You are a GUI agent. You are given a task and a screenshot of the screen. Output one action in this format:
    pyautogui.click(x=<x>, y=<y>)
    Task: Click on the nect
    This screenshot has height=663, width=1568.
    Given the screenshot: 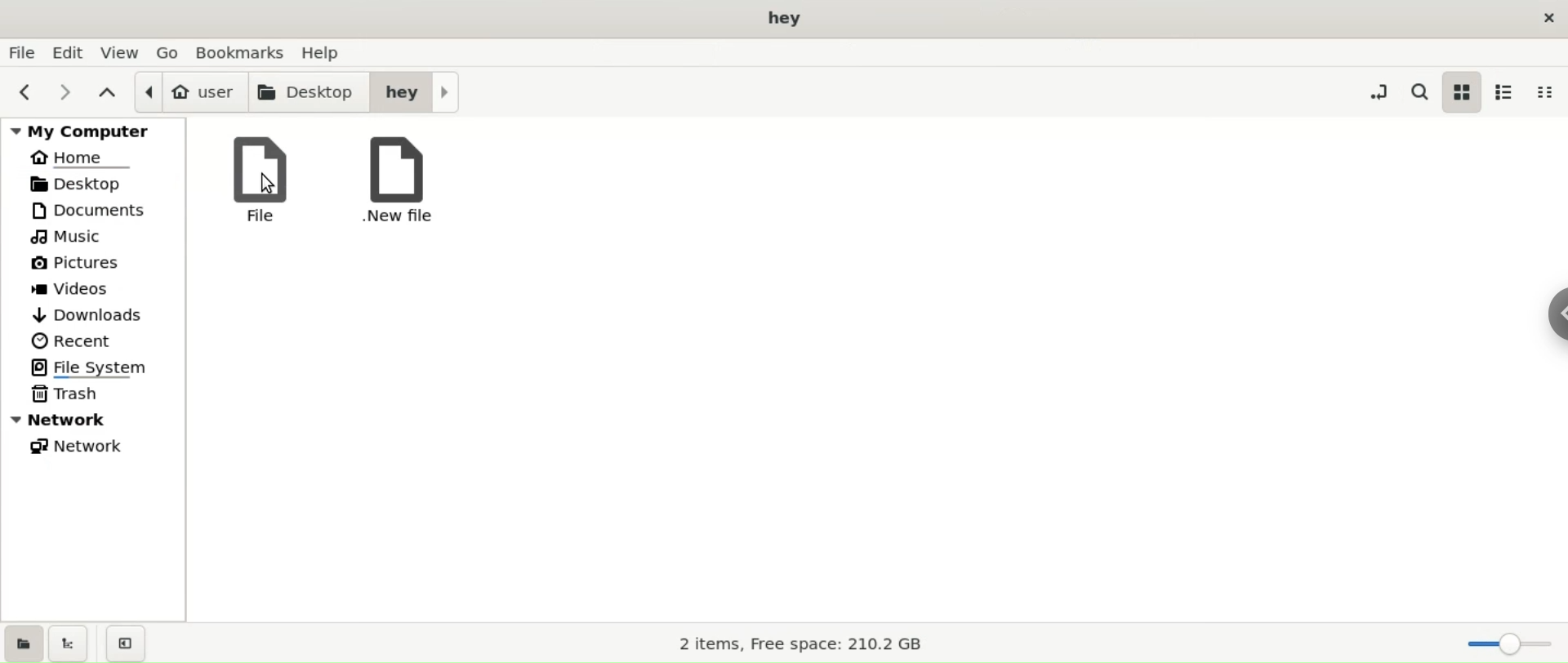 What is the action you would take?
    pyautogui.click(x=64, y=91)
    